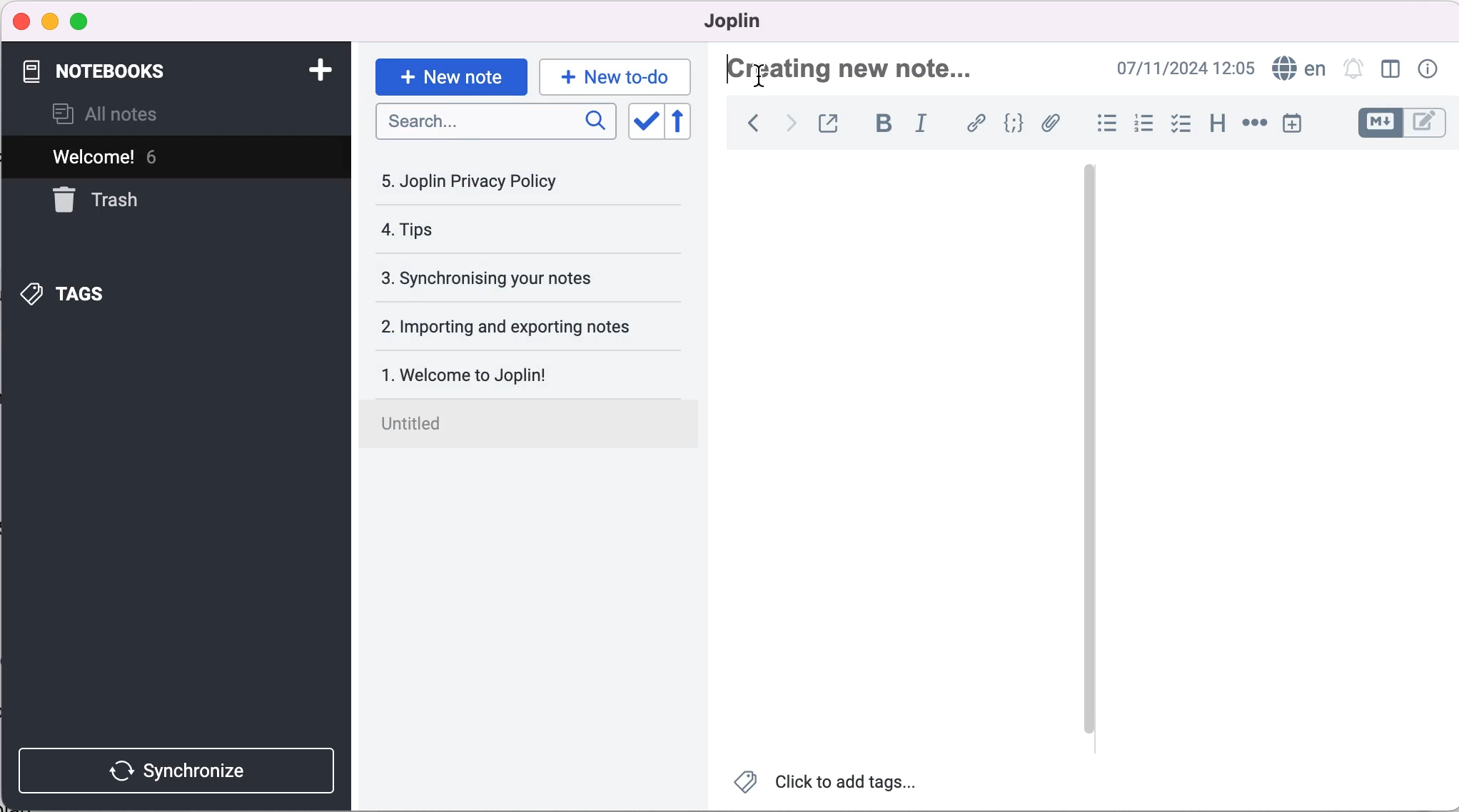 This screenshot has height=812, width=1459. I want to click on add notebook, so click(320, 71).